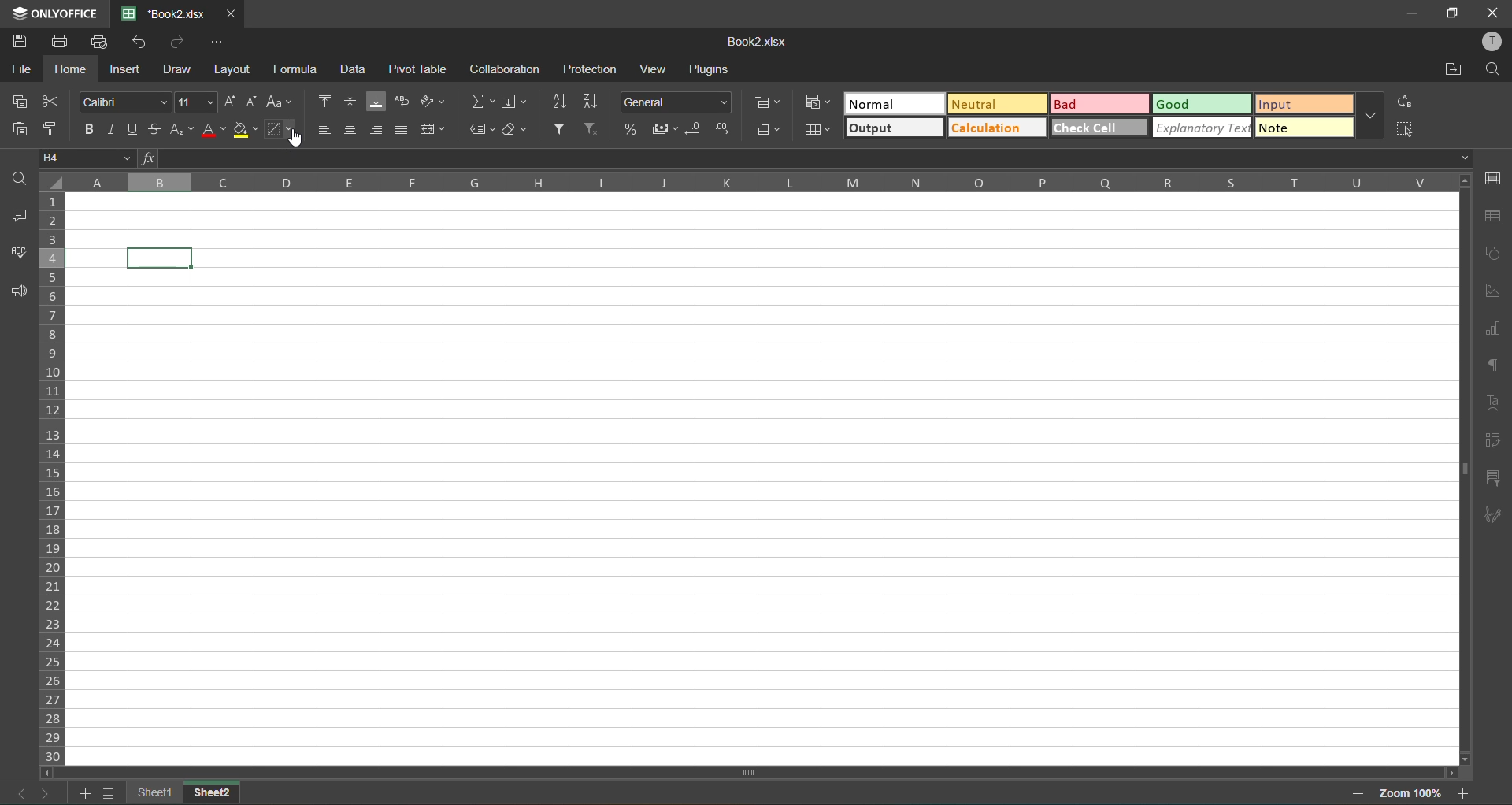 The width and height of the screenshot is (1512, 805). Describe the element at coordinates (157, 791) in the screenshot. I see `sheet 1` at that location.